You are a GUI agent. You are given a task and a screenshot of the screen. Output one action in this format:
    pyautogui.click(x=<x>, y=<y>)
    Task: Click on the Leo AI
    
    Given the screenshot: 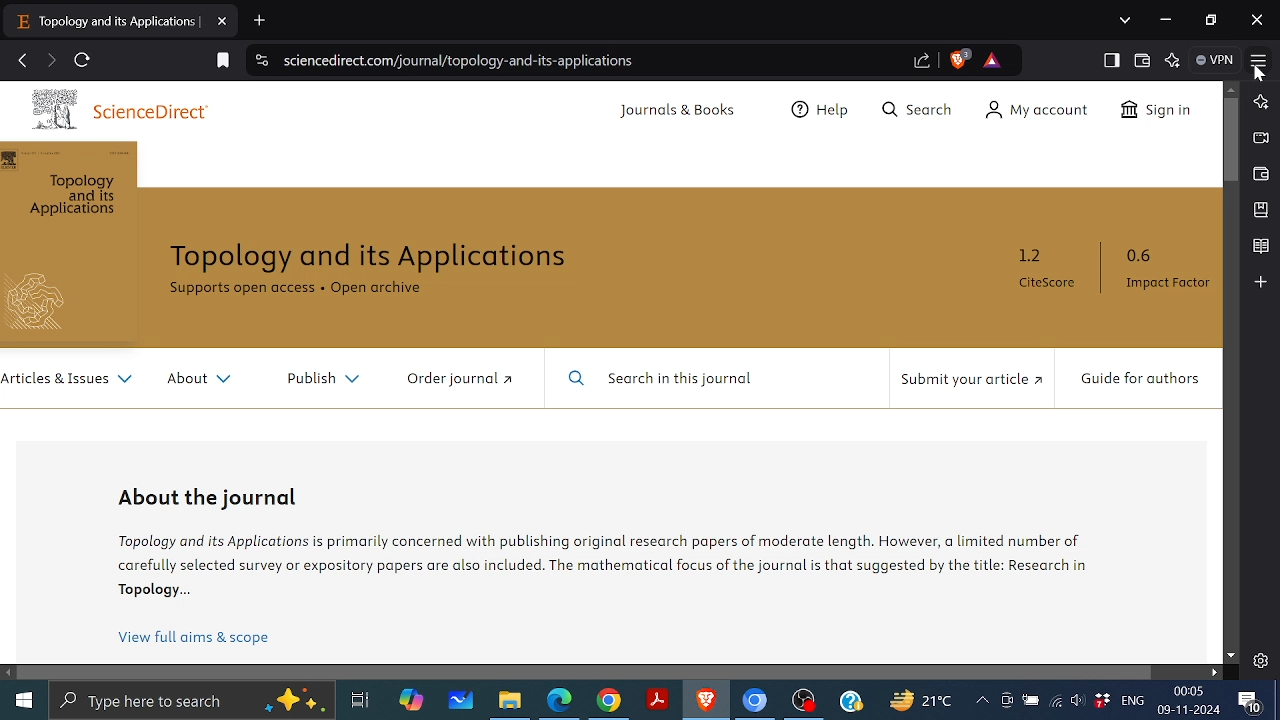 What is the action you would take?
    pyautogui.click(x=1174, y=60)
    